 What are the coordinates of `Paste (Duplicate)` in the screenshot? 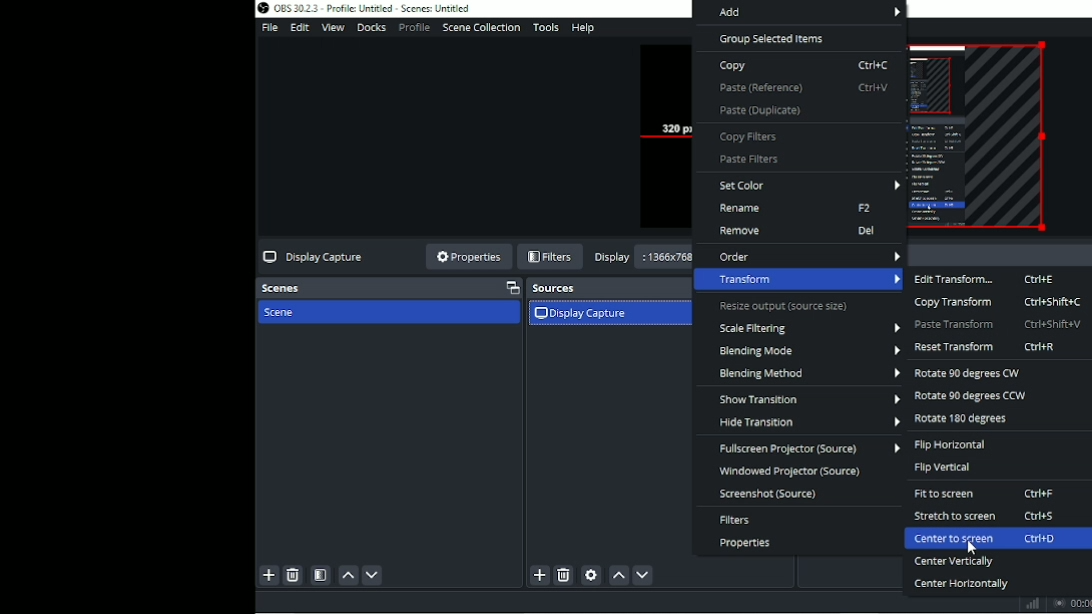 It's located at (760, 111).